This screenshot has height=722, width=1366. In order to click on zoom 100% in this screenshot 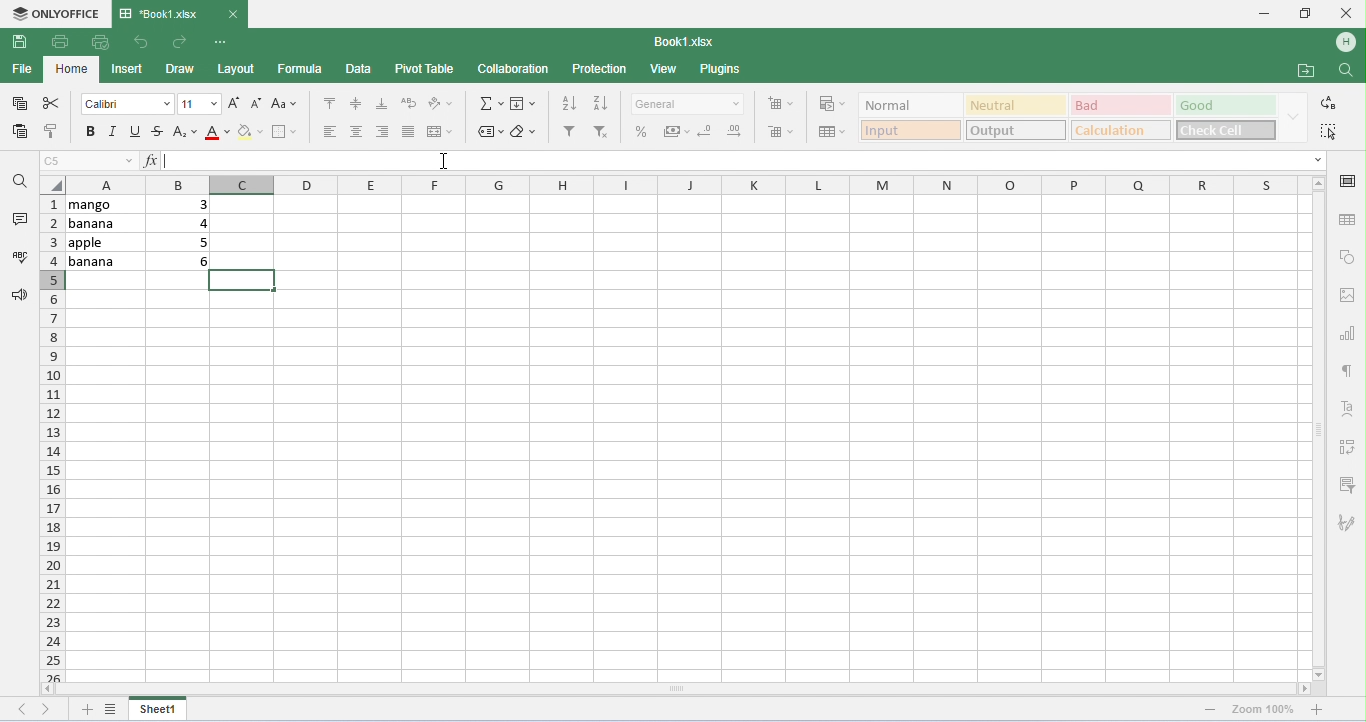, I will do `click(1263, 710)`.